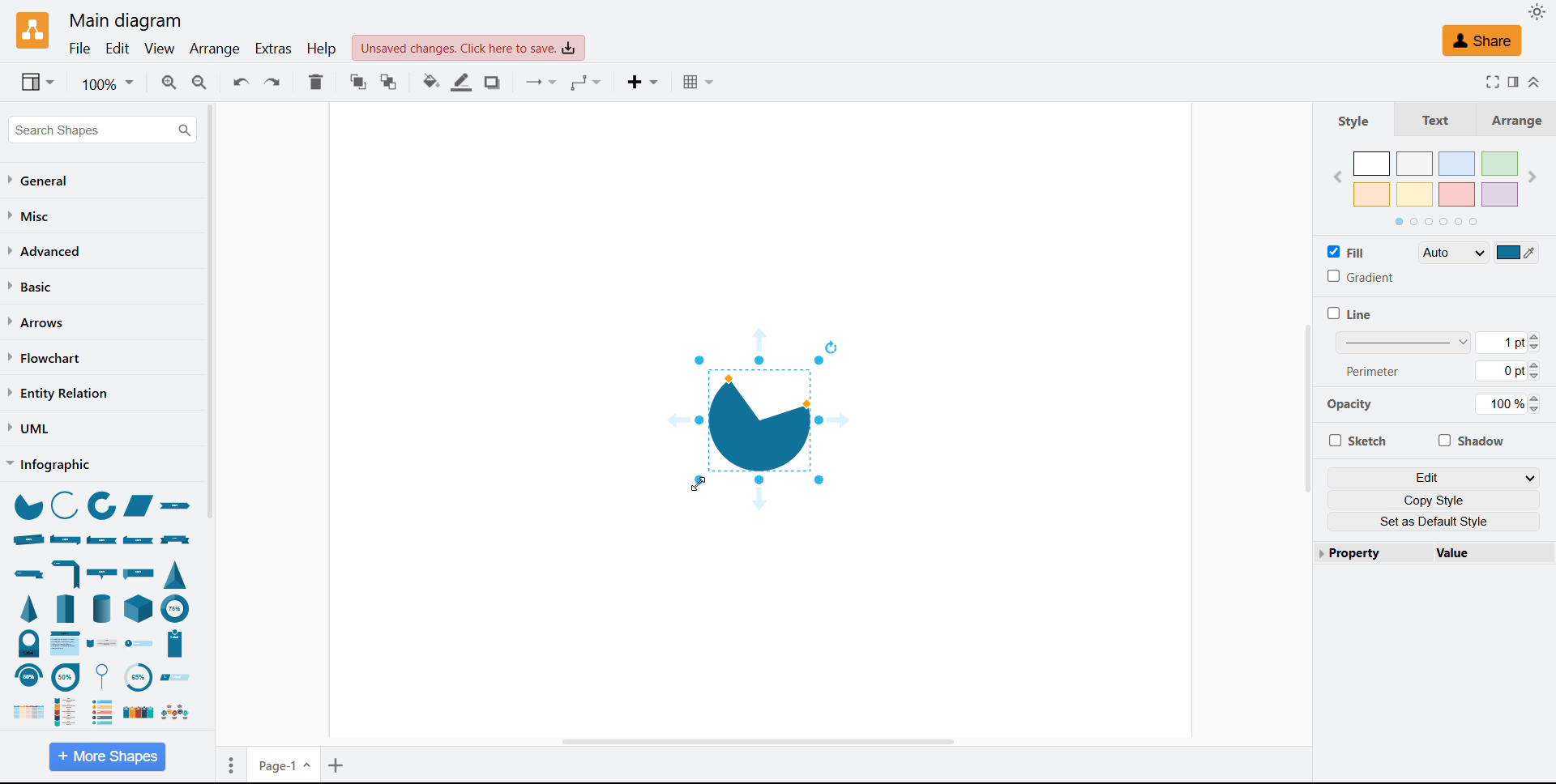 The width and height of the screenshot is (1556, 784). Describe the element at coordinates (37, 82) in the screenshot. I see `Display options ` at that location.